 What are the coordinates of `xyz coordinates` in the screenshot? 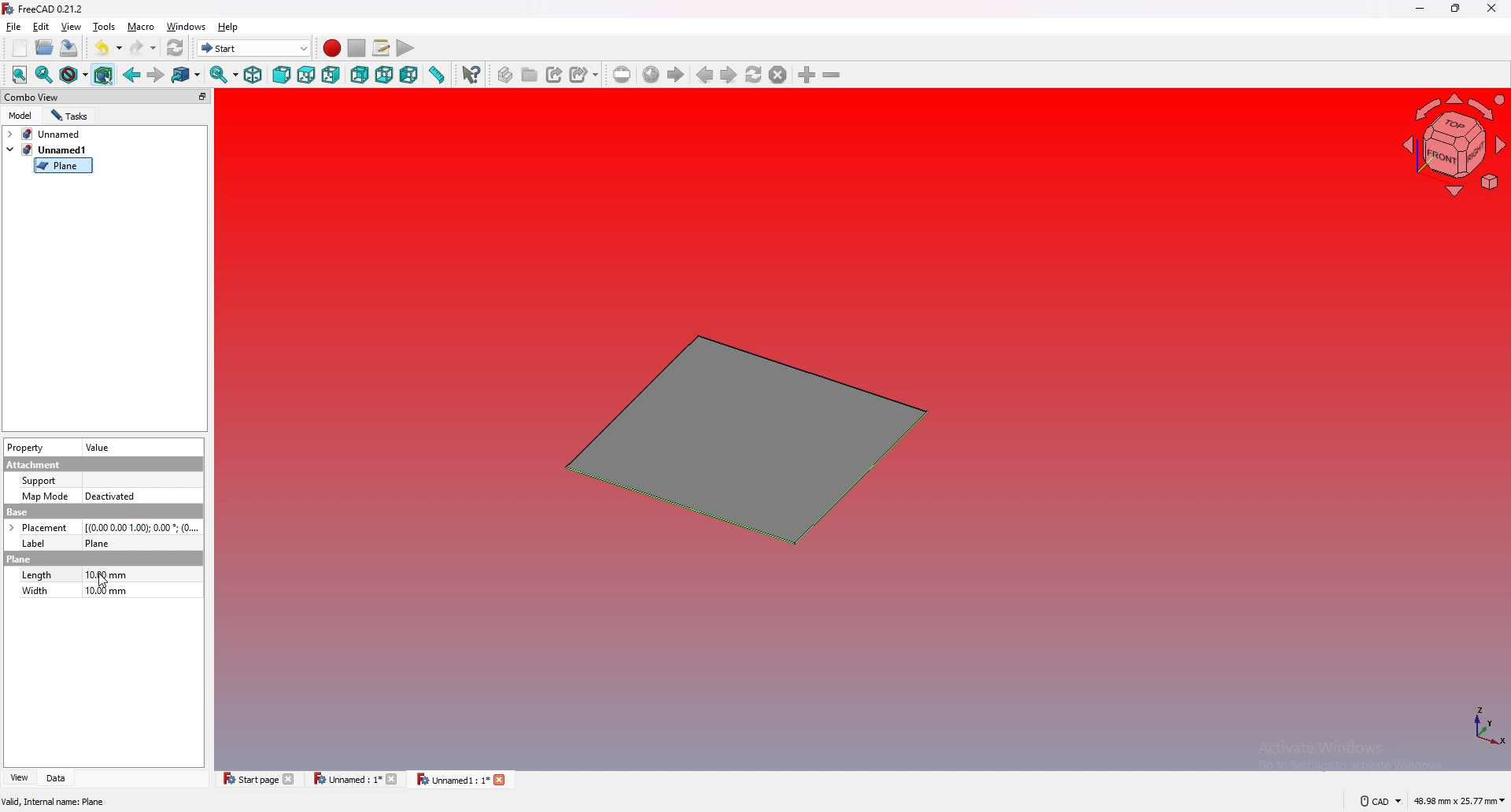 It's located at (1469, 727).